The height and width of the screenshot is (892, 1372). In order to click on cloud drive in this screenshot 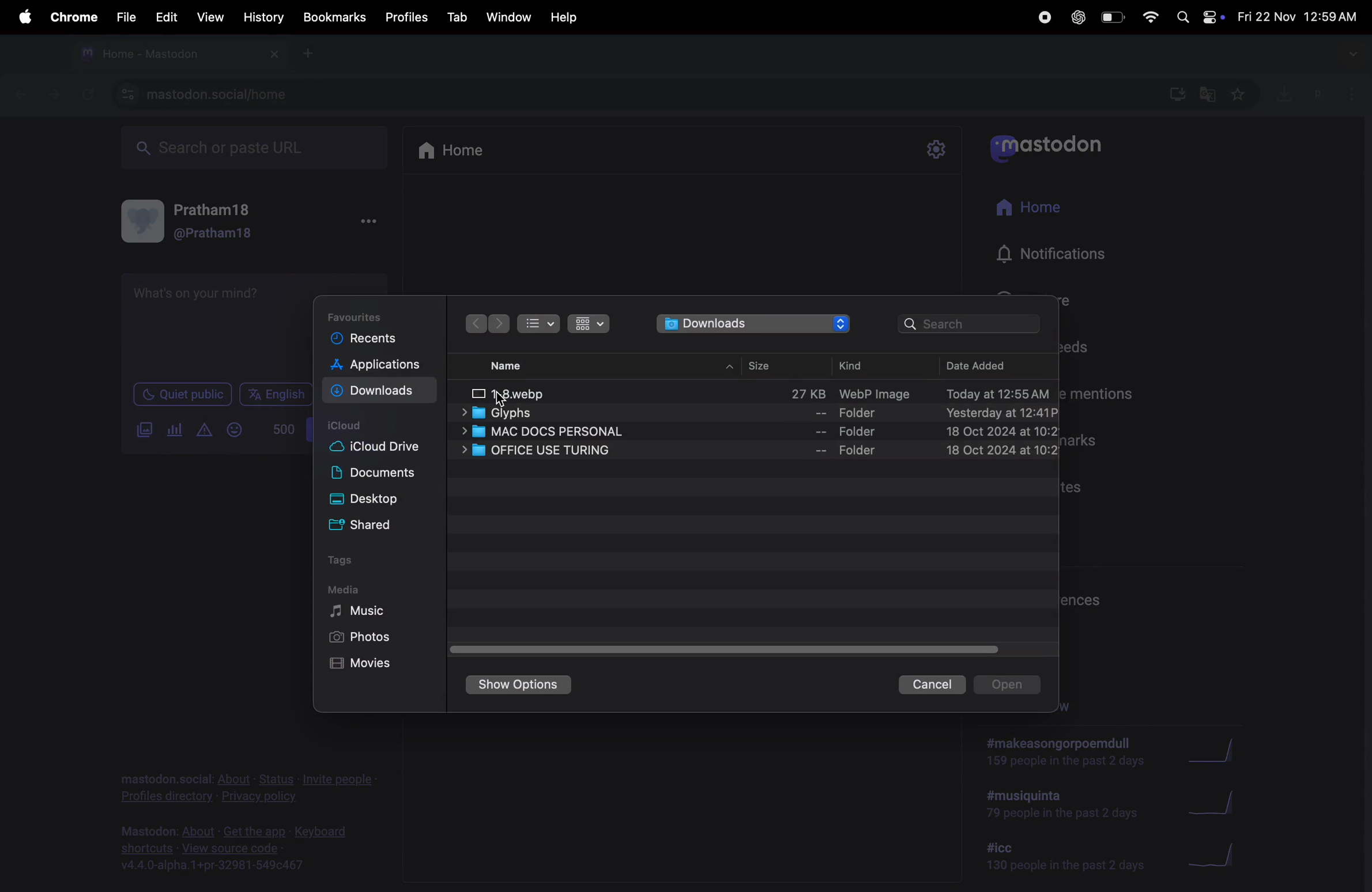, I will do `click(377, 449)`.